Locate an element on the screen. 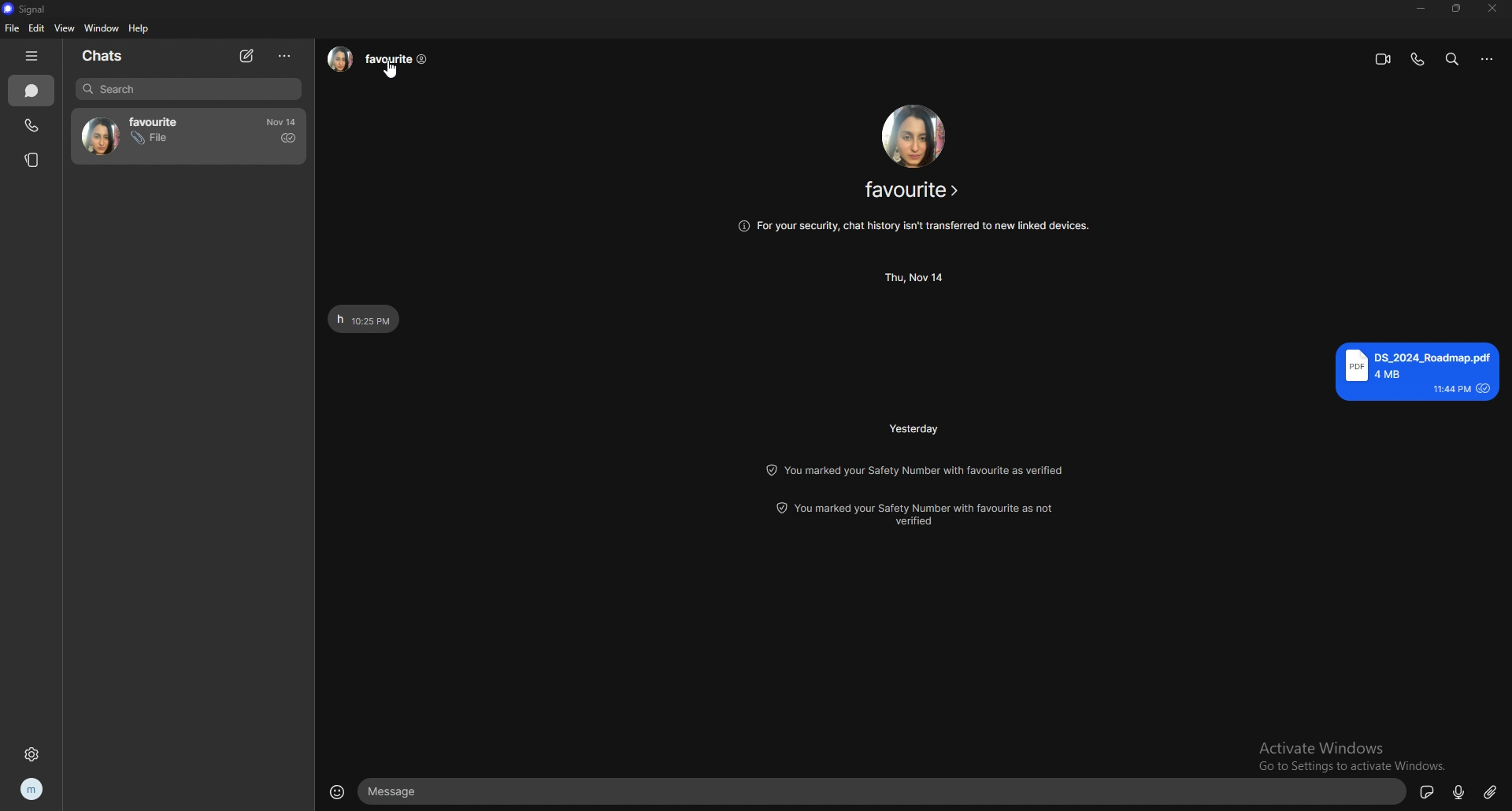 Image resolution: width=1512 pixels, height=811 pixels. new chat is located at coordinates (249, 55).